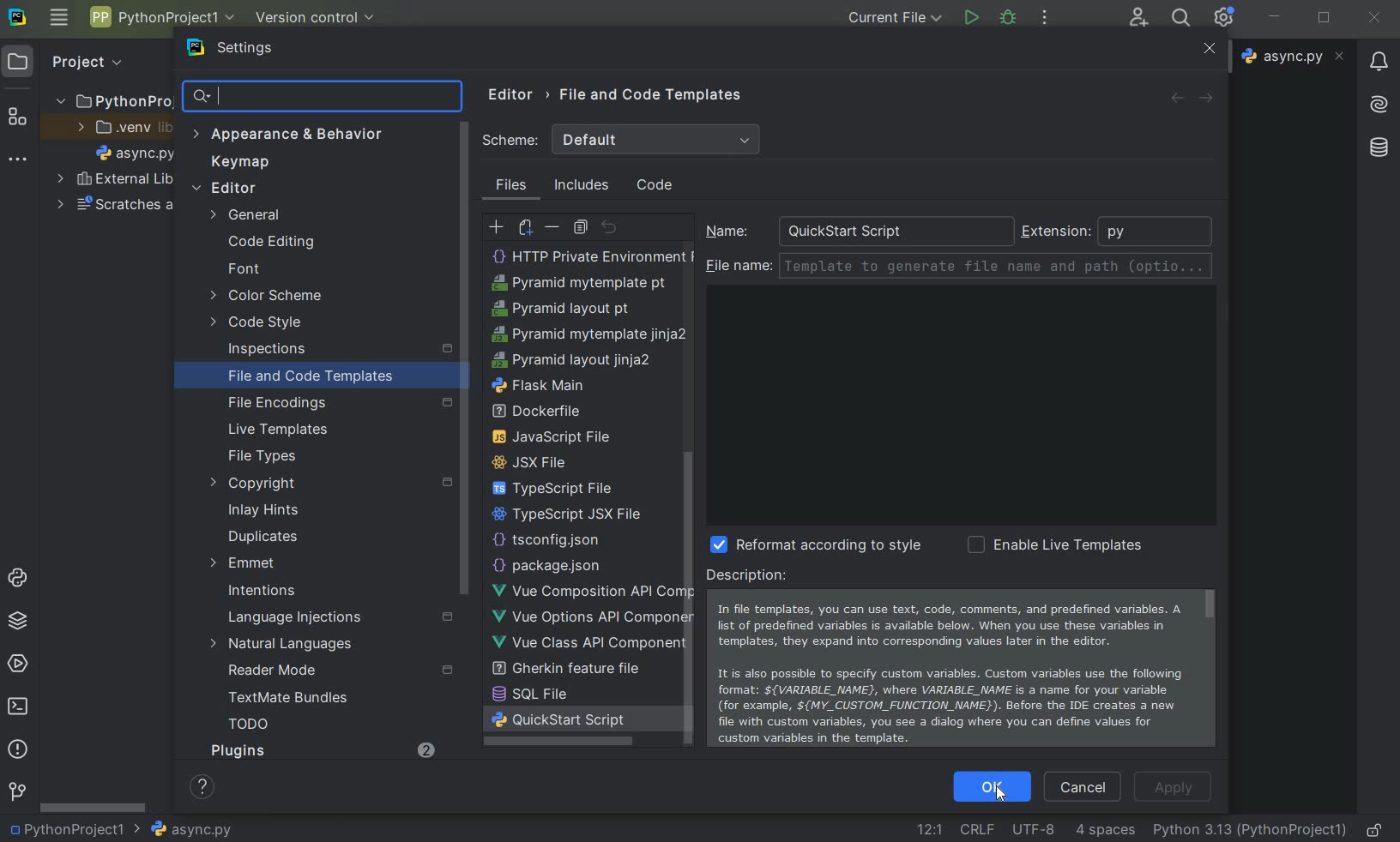 This screenshot has height=842, width=1400. Describe the element at coordinates (1294, 57) in the screenshot. I see `file name` at that location.